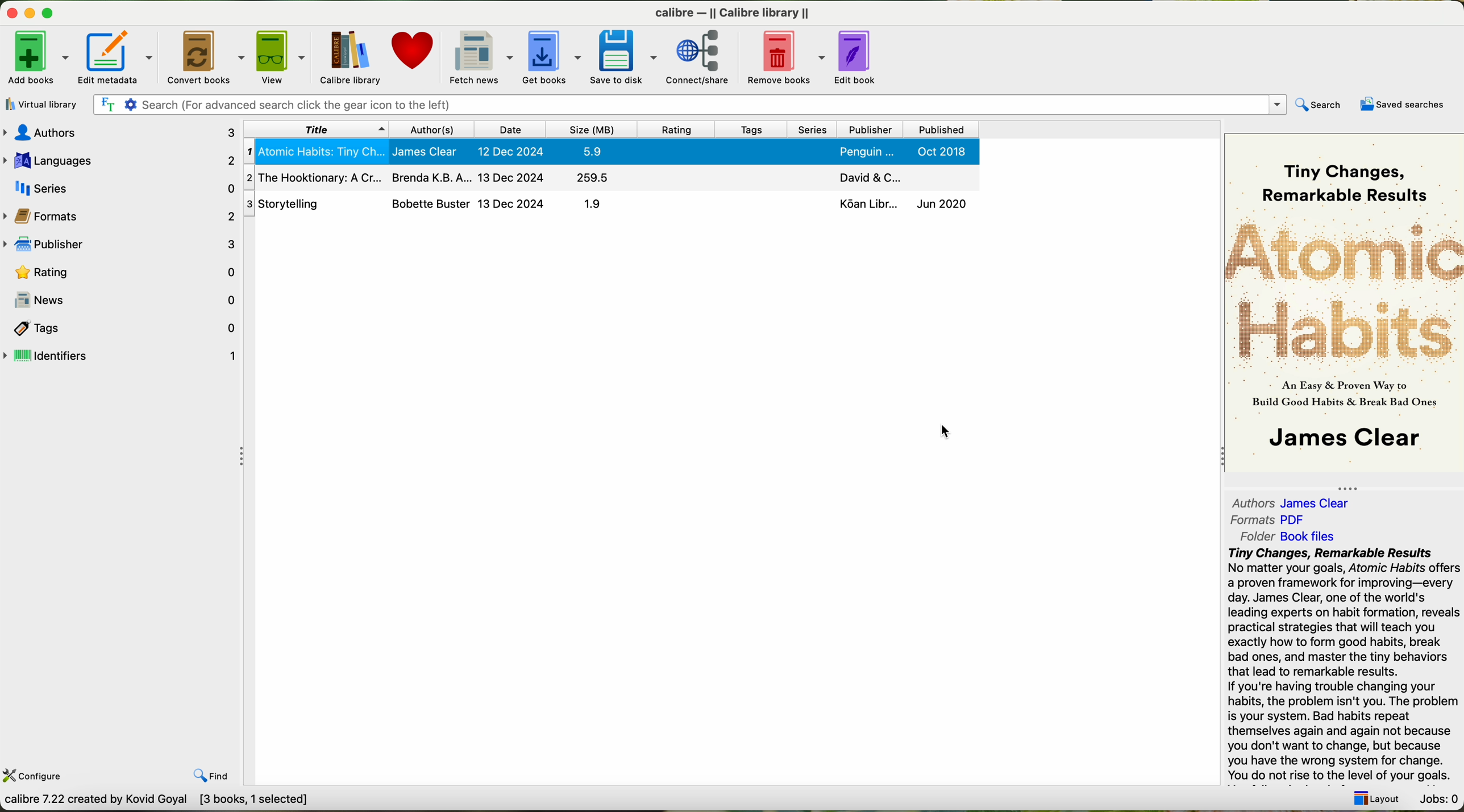  What do you see at coordinates (351, 56) in the screenshot?
I see `Caliber Library` at bounding box center [351, 56].